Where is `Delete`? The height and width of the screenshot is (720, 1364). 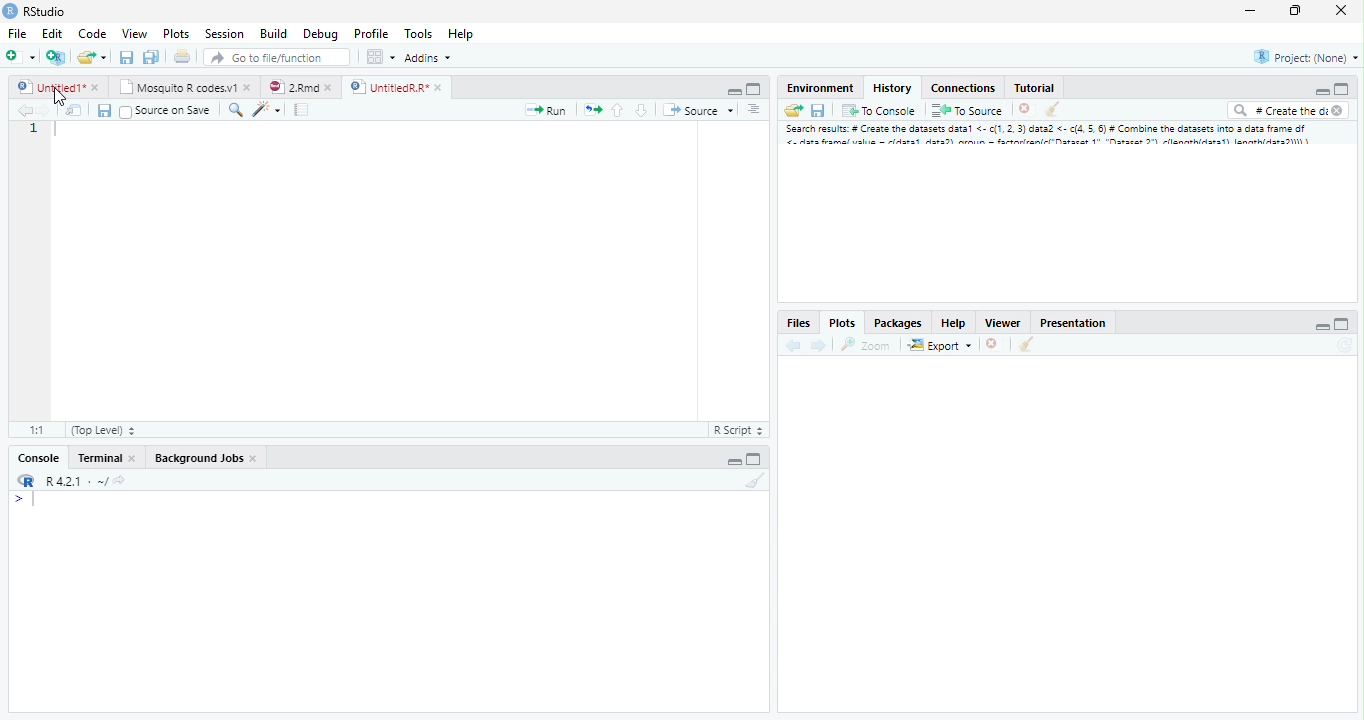 Delete is located at coordinates (1025, 109).